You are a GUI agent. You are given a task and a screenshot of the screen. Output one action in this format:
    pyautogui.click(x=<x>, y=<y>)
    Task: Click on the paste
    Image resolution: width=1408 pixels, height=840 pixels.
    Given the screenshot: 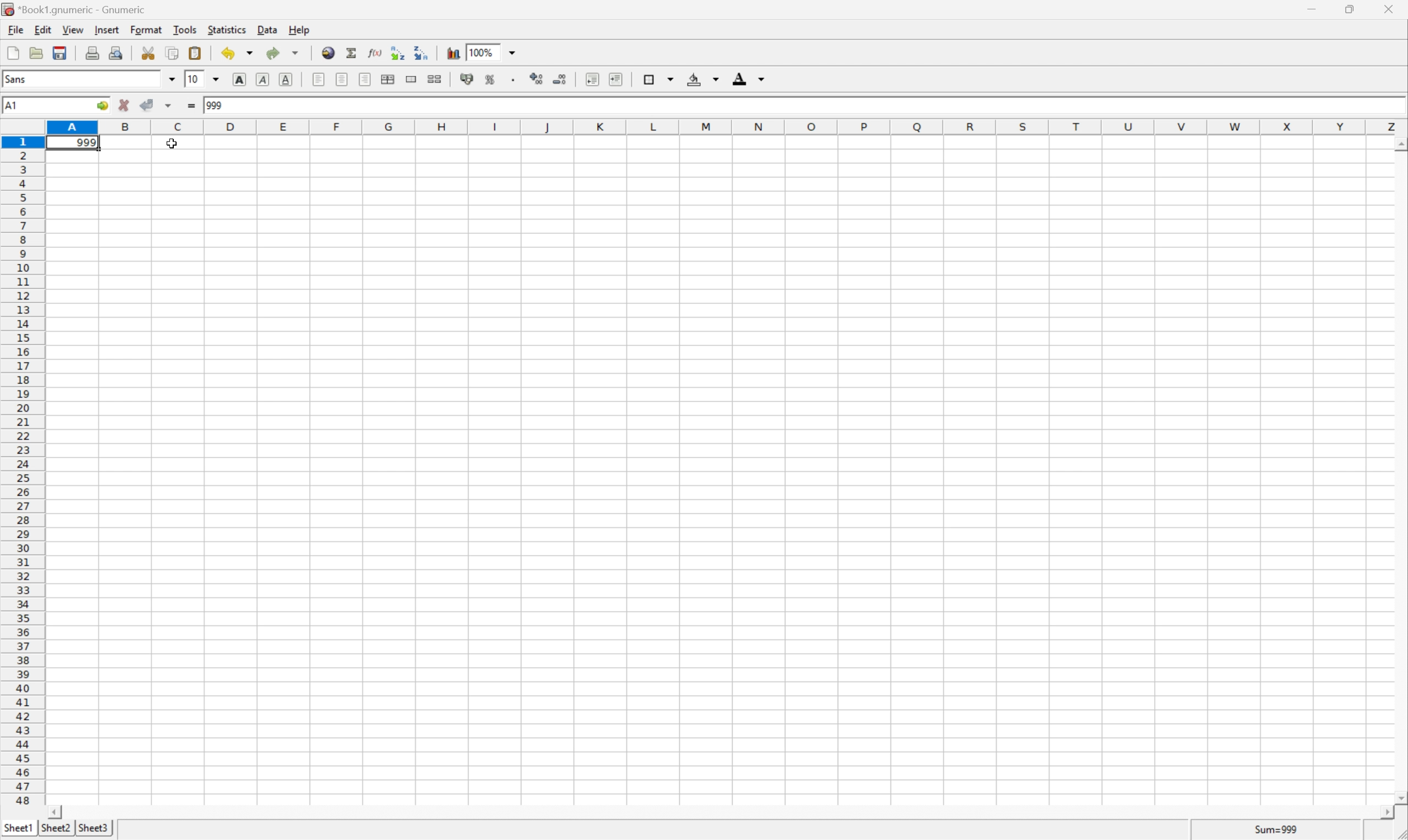 What is the action you would take?
    pyautogui.click(x=195, y=53)
    